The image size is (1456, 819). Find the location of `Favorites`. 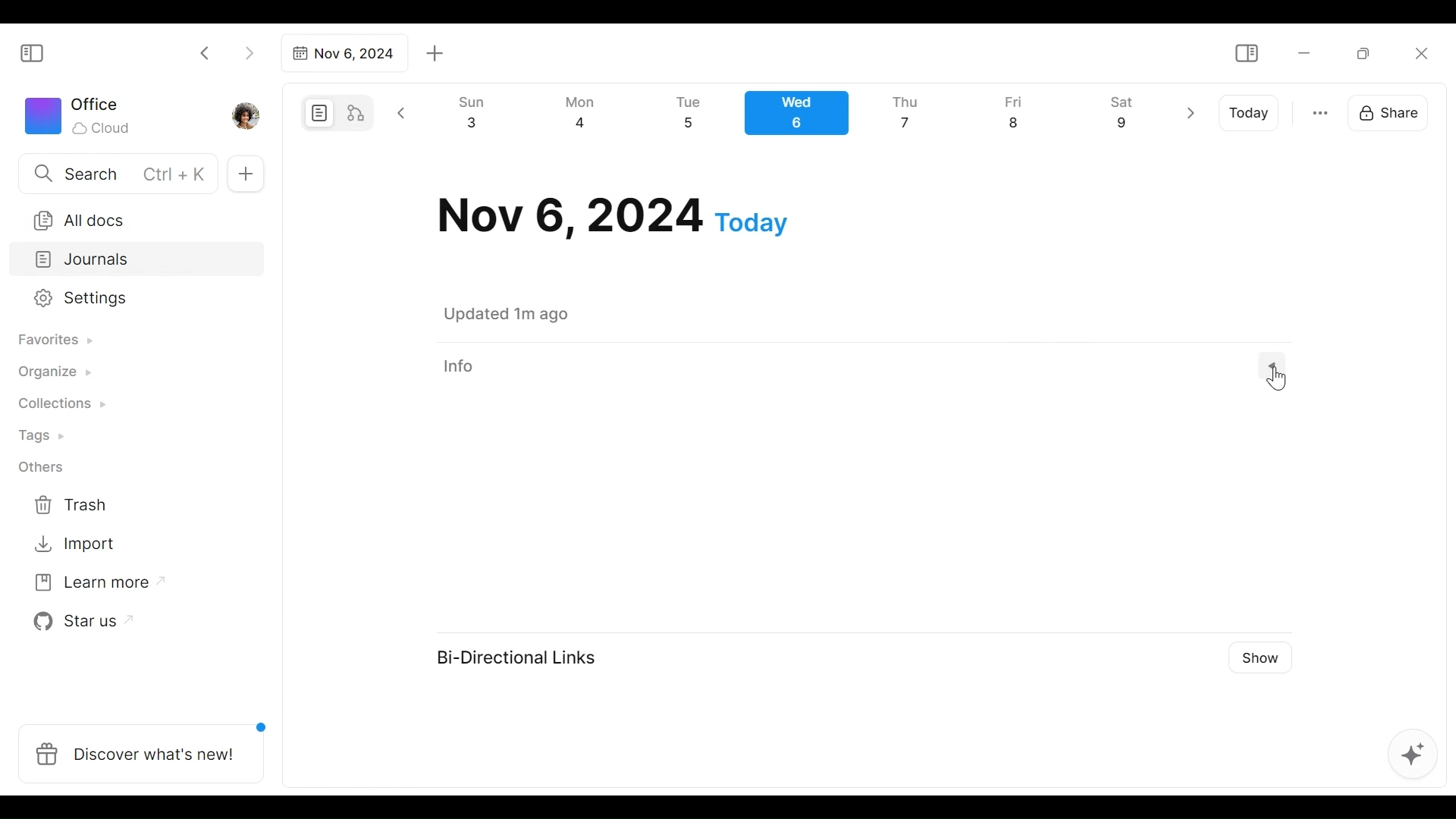

Favorites is located at coordinates (54, 340).